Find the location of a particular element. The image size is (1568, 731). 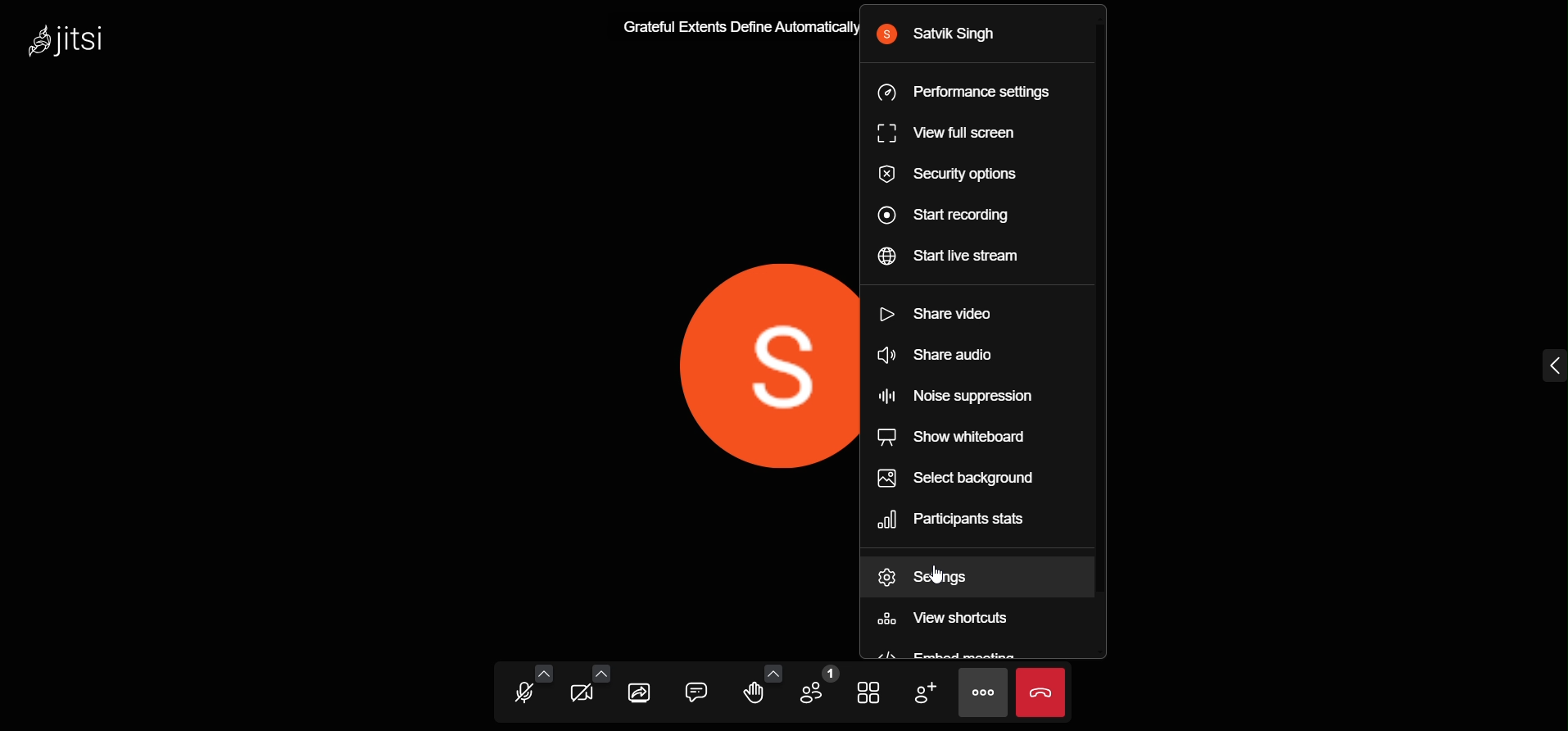

microphone is located at coordinates (519, 696).